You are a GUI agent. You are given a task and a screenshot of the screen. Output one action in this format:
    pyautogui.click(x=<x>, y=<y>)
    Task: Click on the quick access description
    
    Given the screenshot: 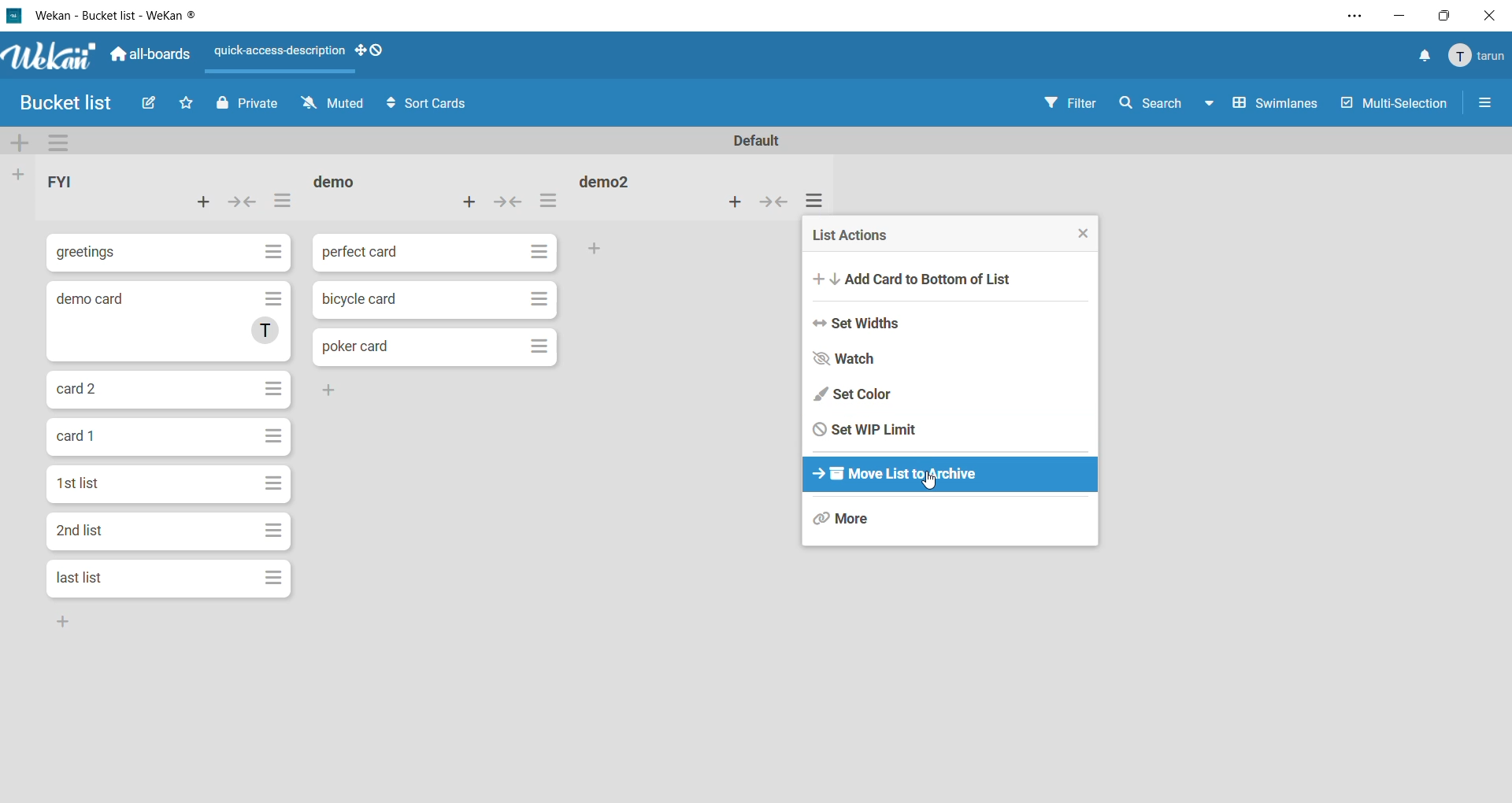 What is the action you would take?
    pyautogui.click(x=275, y=51)
    